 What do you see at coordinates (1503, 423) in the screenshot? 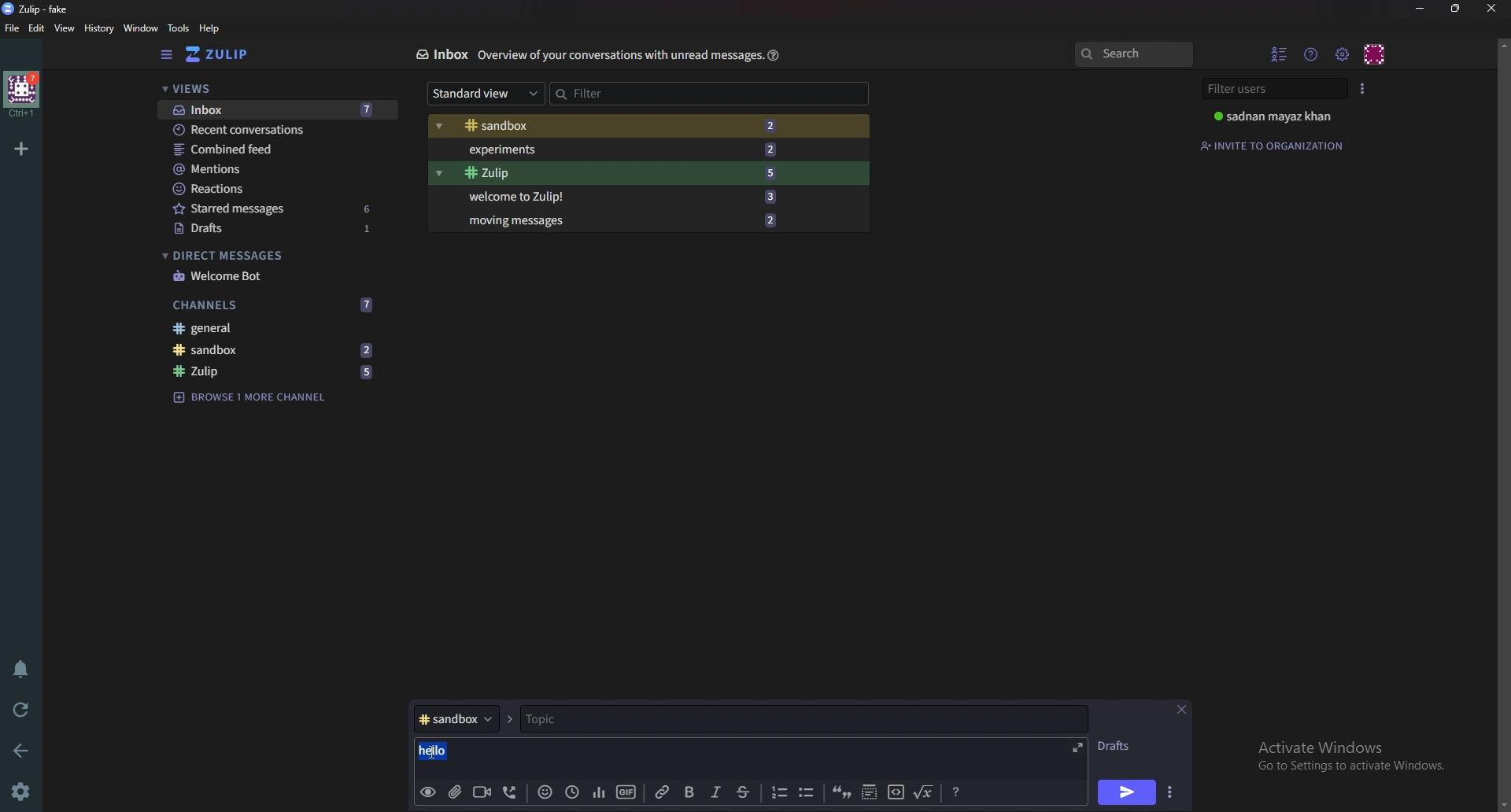
I see `scroll bar` at bounding box center [1503, 423].